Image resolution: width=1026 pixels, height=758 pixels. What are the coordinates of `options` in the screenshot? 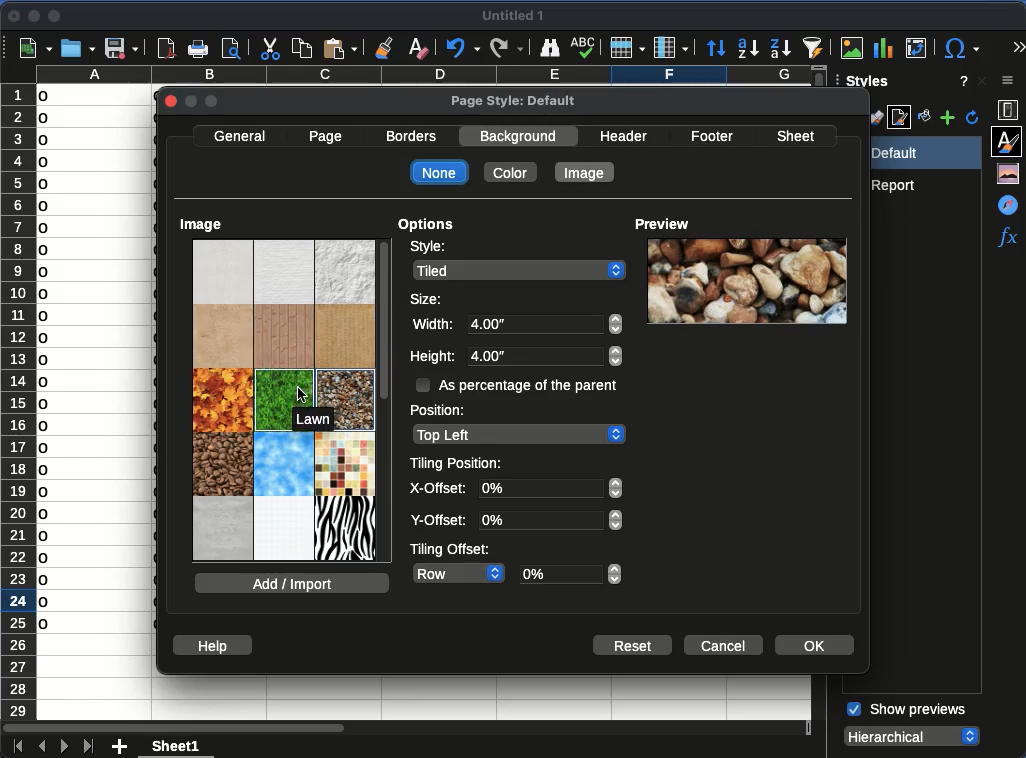 It's located at (426, 227).